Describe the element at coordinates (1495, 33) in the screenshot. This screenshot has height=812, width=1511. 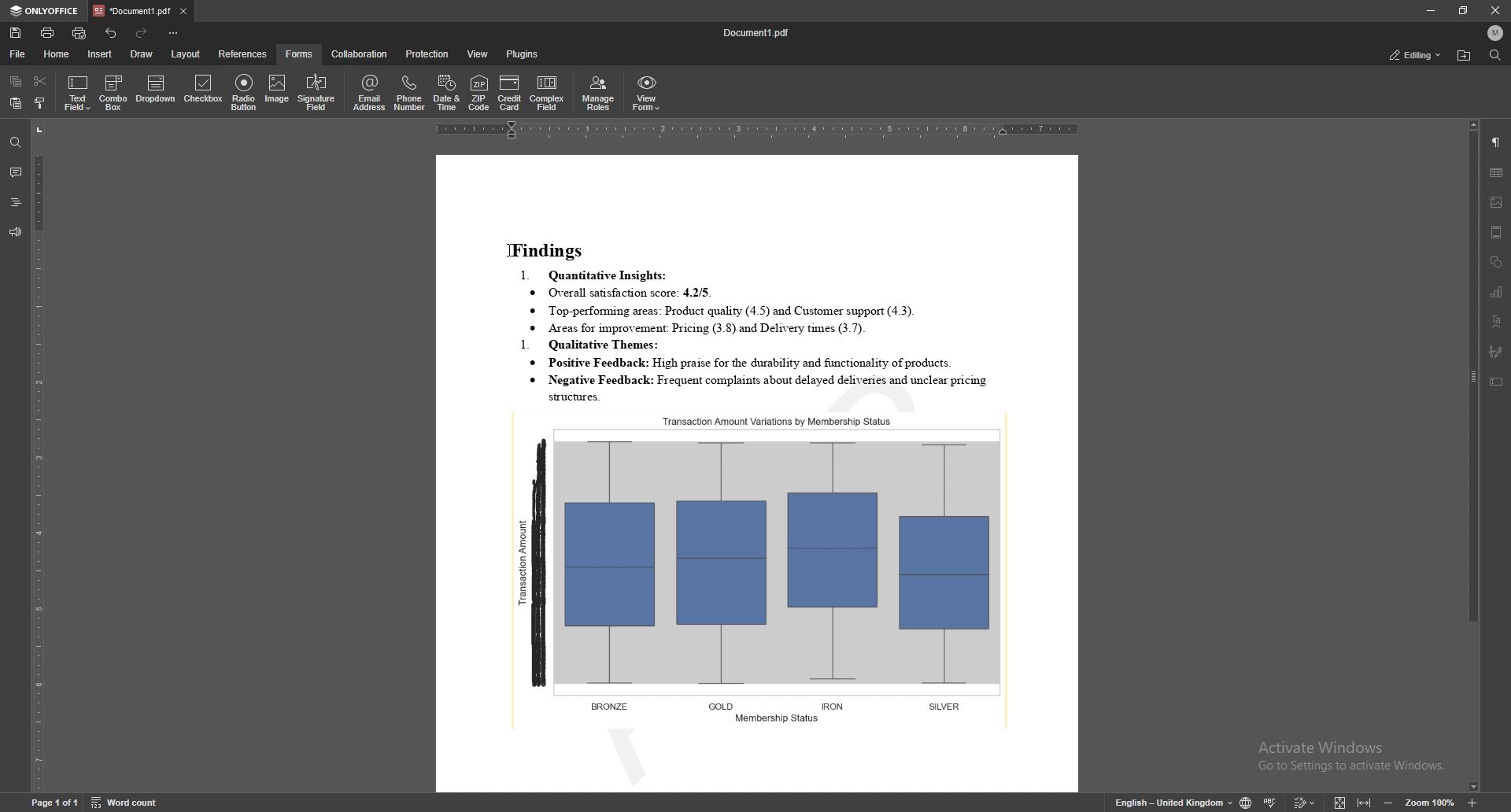
I see `profile` at that location.